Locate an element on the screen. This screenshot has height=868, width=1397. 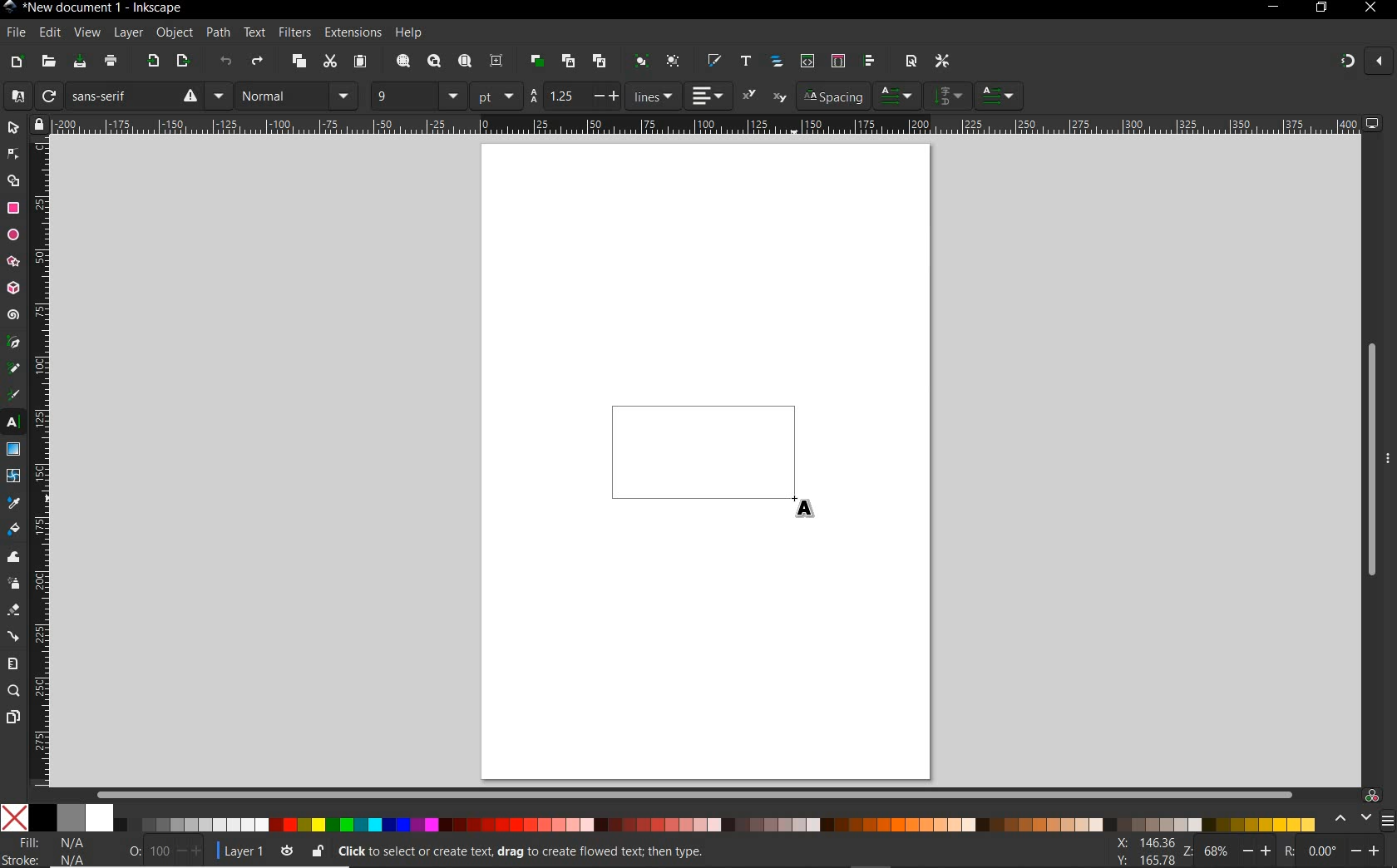
1.25 is located at coordinates (561, 96).